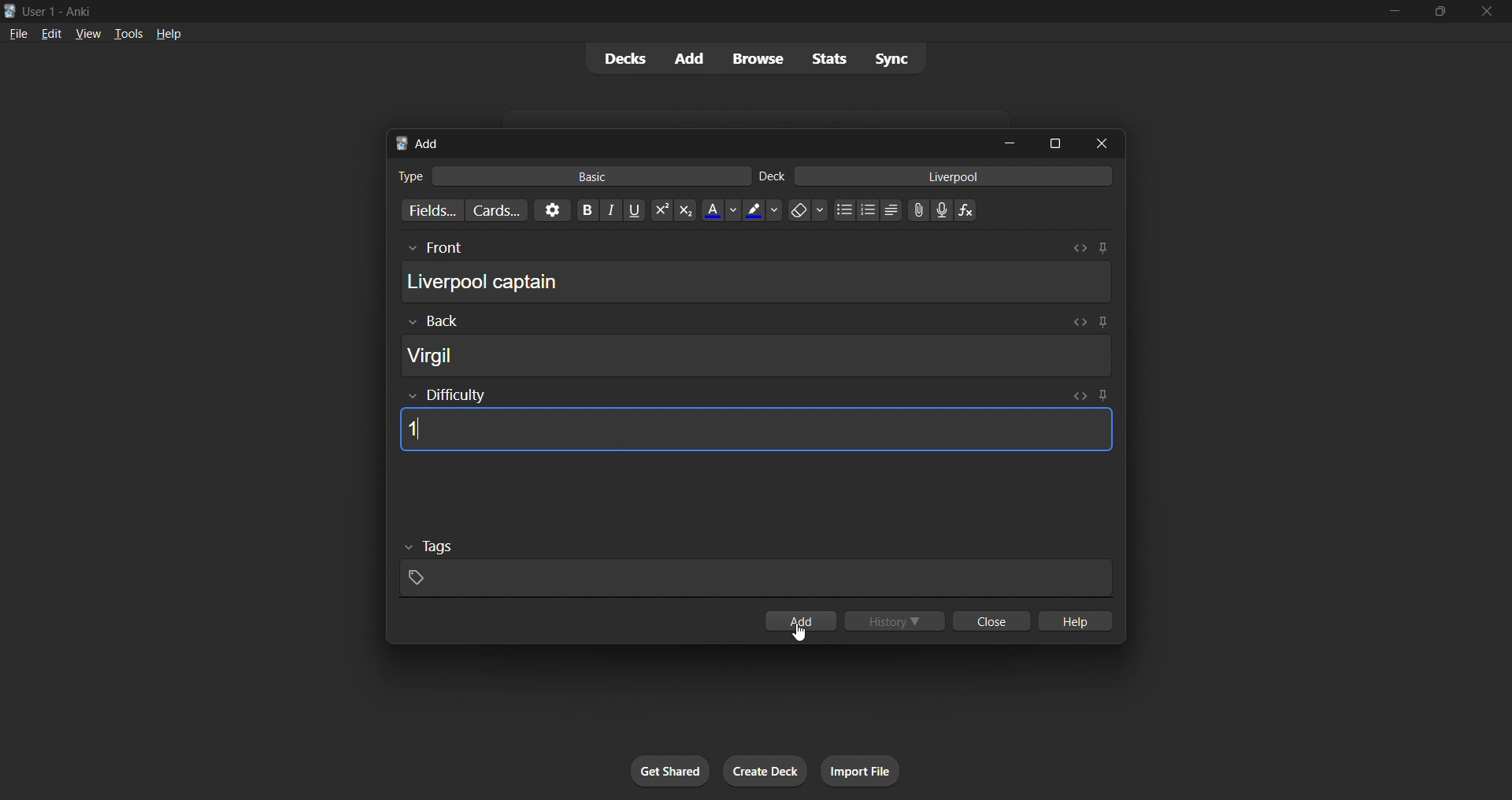  What do you see at coordinates (720, 210) in the screenshot?
I see `Text color options` at bounding box center [720, 210].